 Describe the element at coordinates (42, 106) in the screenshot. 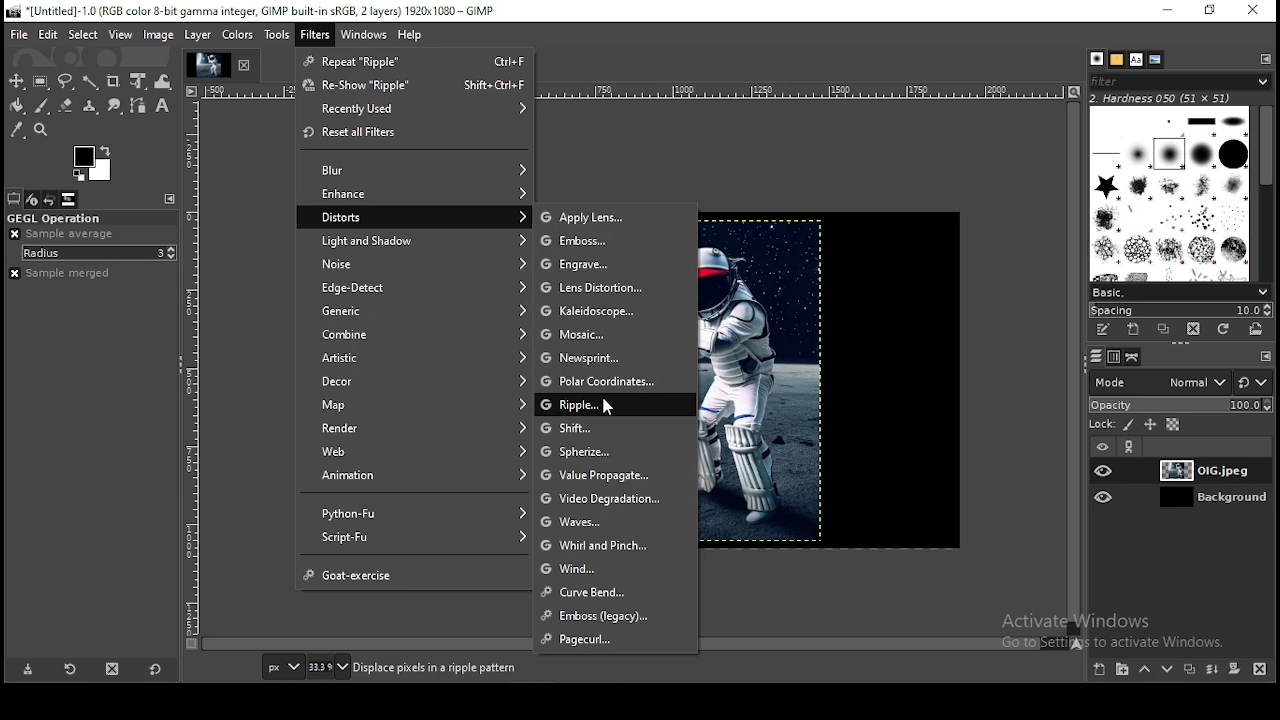

I see `paintbrush tool` at that location.